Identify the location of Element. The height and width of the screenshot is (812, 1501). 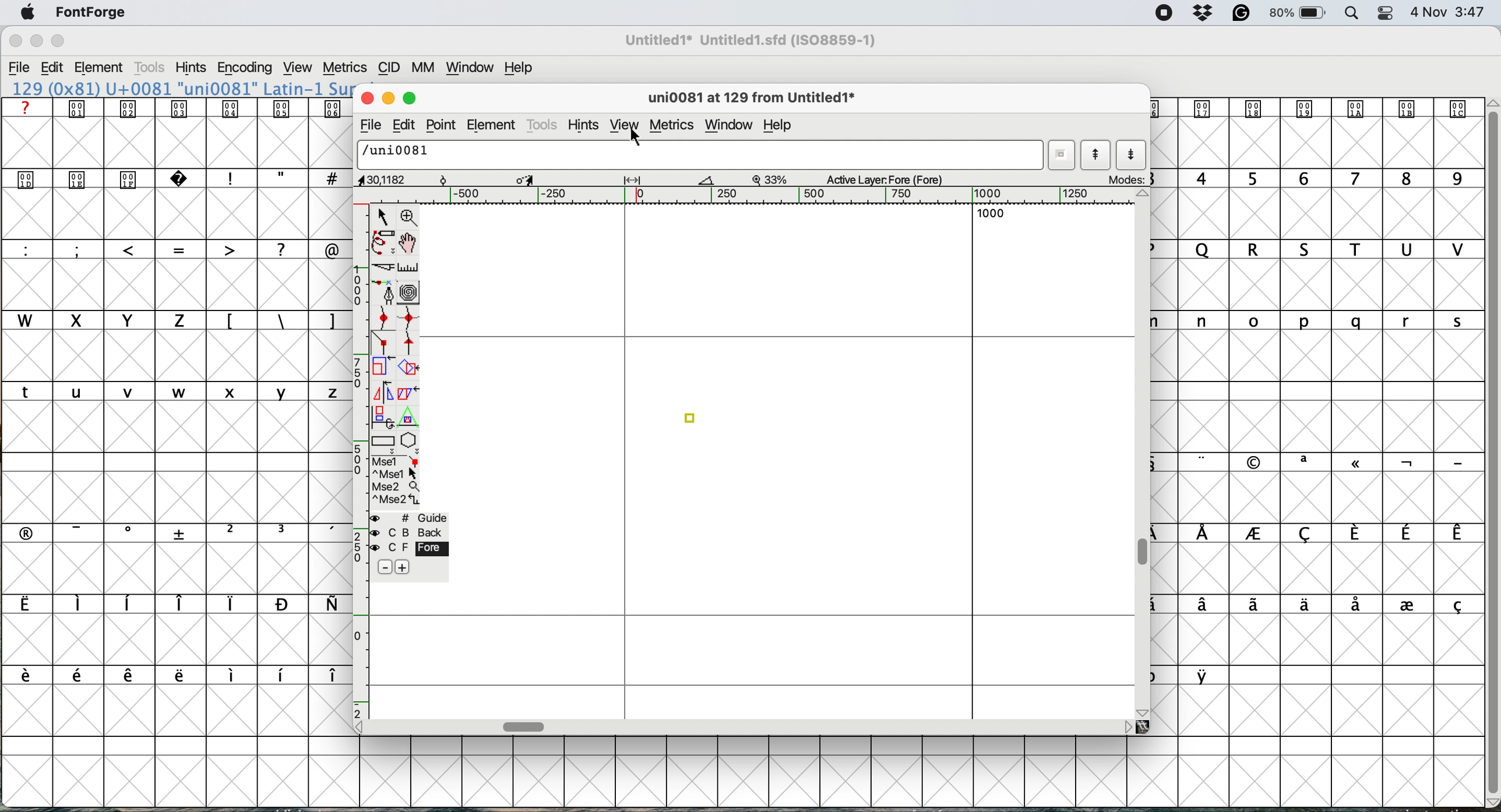
(99, 69).